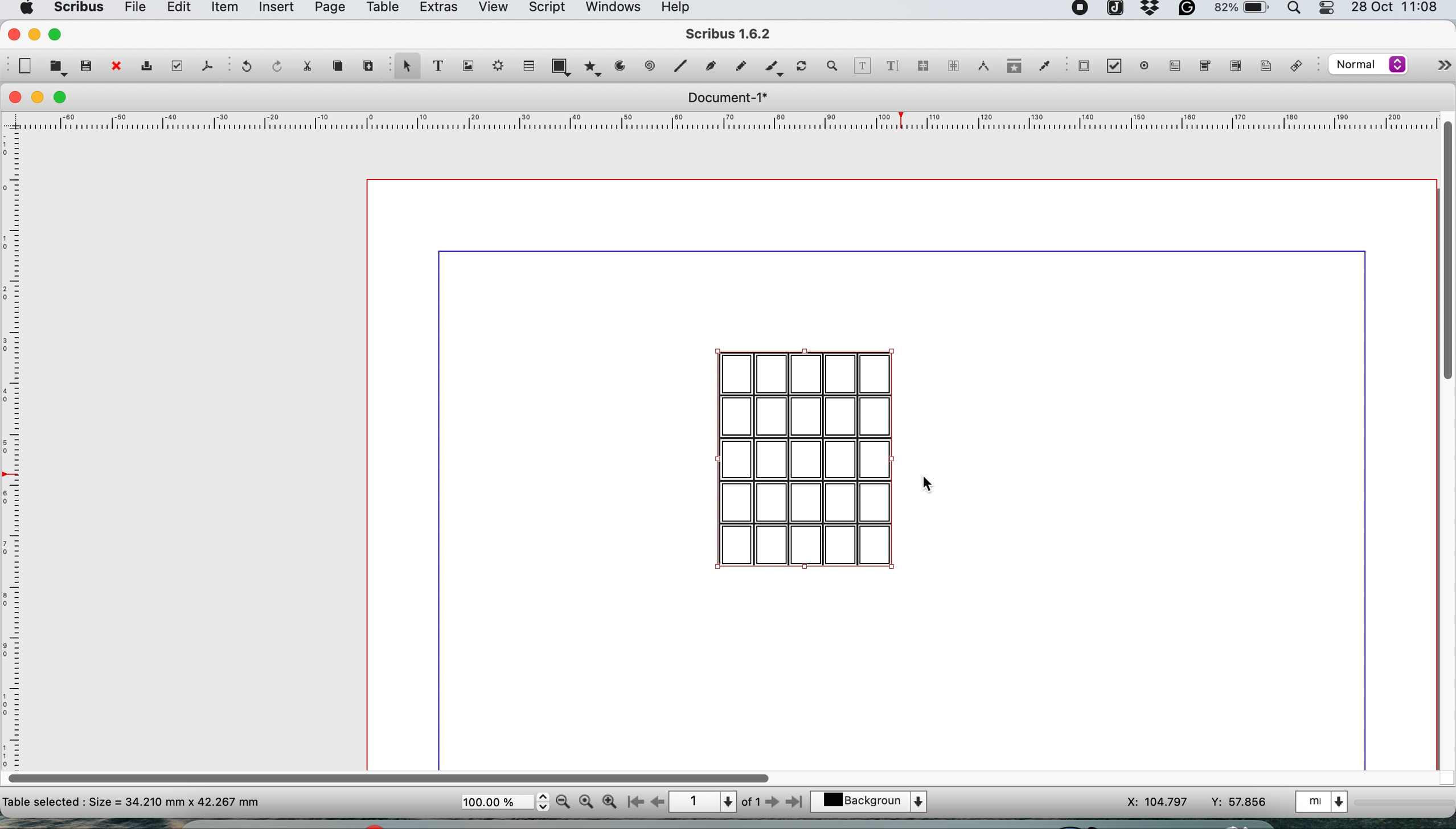  What do you see at coordinates (1197, 802) in the screenshot?
I see `xy coordinates` at bounding box center [1197, 802].